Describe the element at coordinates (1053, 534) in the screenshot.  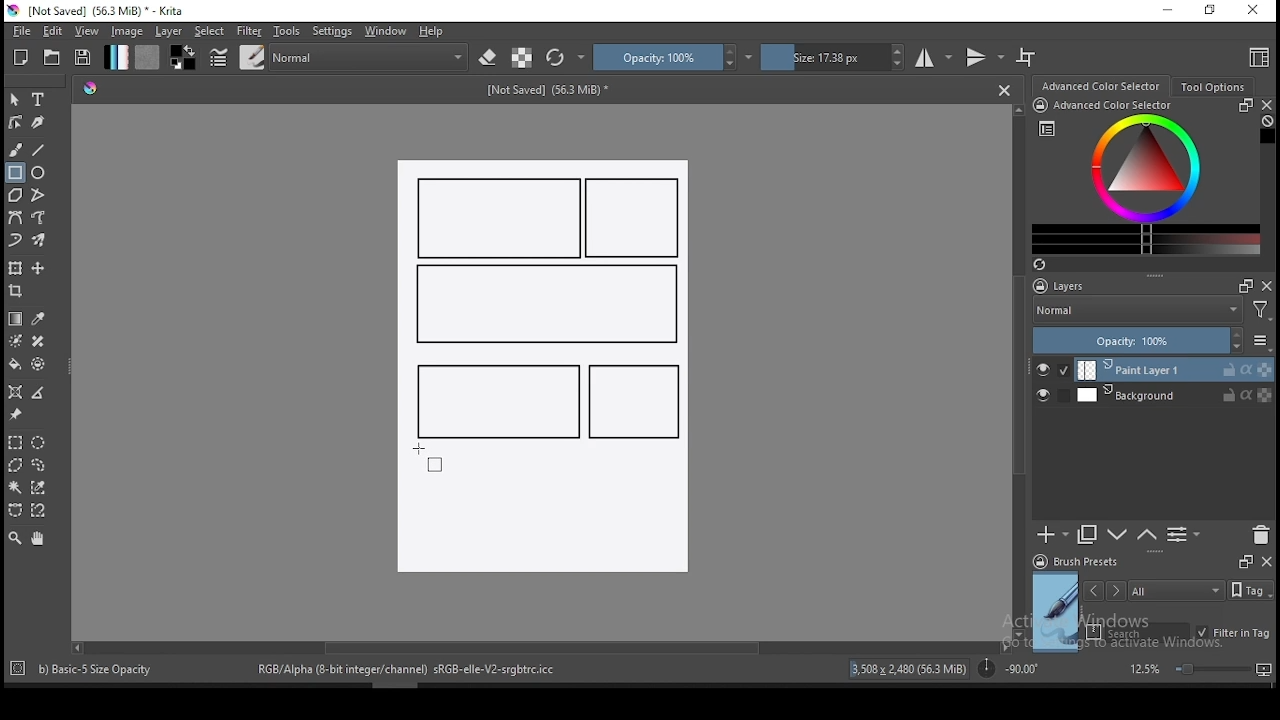
I see `new layer` at that location.